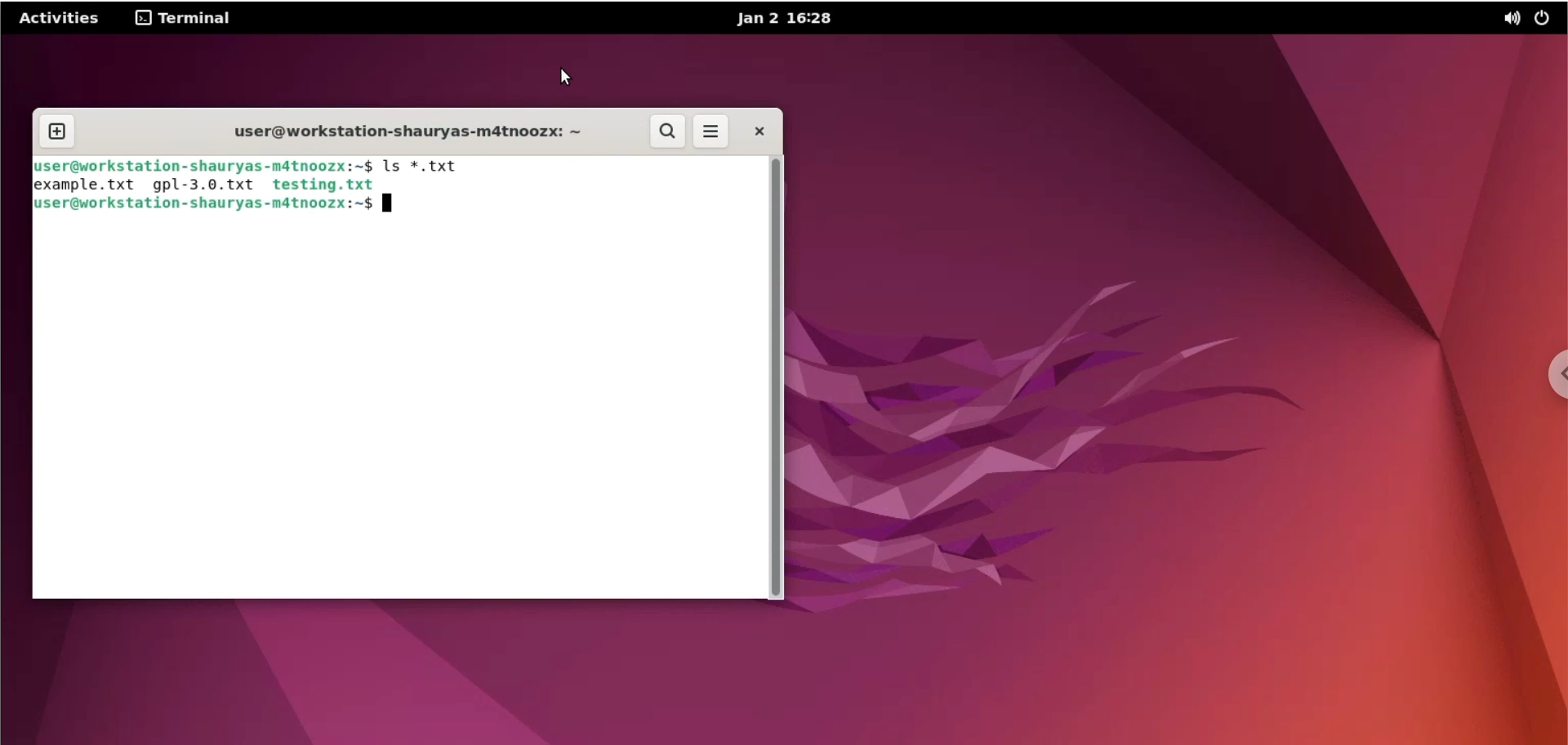 This screenshot has height=745, width=1568. What do you see at coordinates (667, 132) in the screenshot?
I see `search` at bounding box center [667, 132].